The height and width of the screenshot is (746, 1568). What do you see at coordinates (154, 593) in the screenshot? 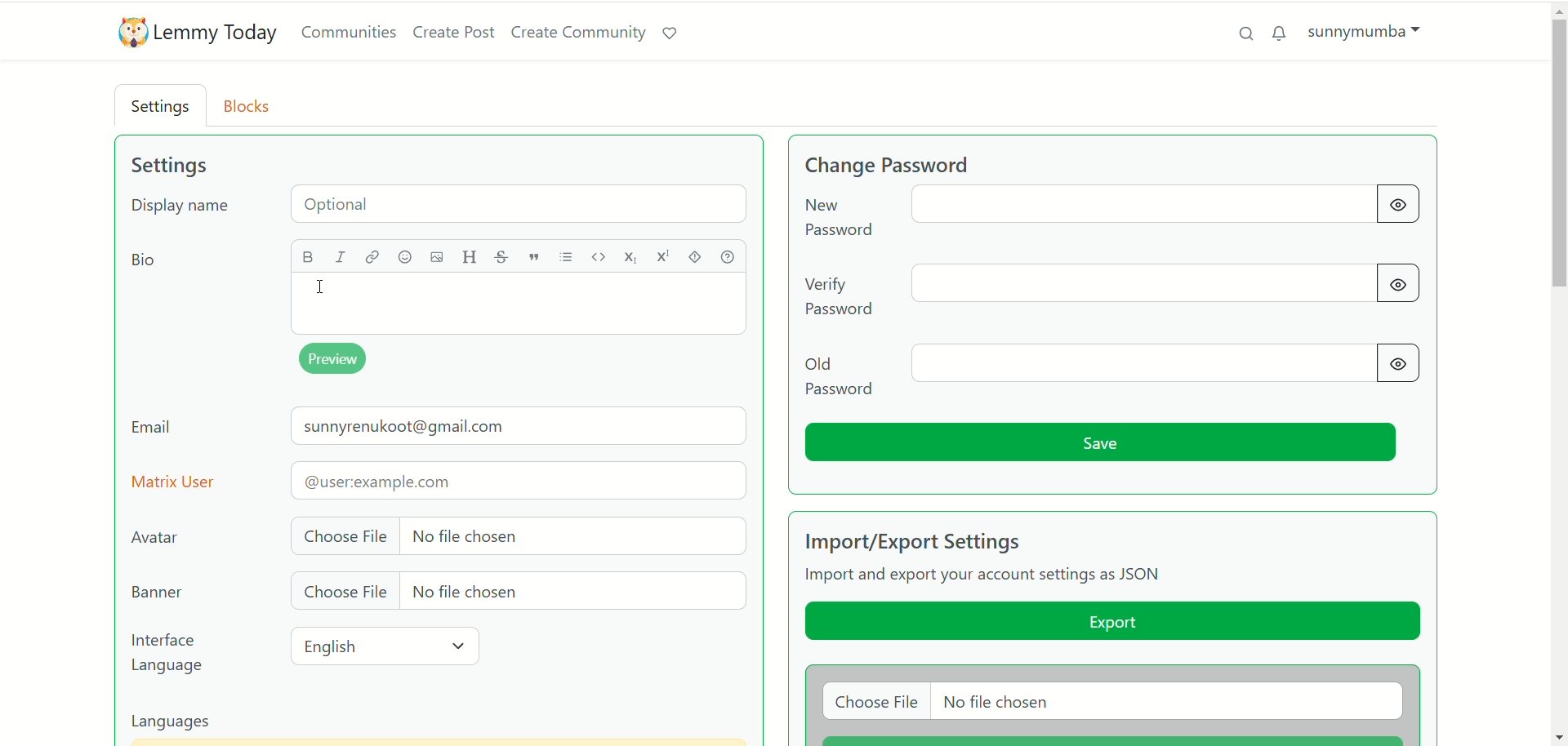
I see `banner` at bounding box center [154, 593].